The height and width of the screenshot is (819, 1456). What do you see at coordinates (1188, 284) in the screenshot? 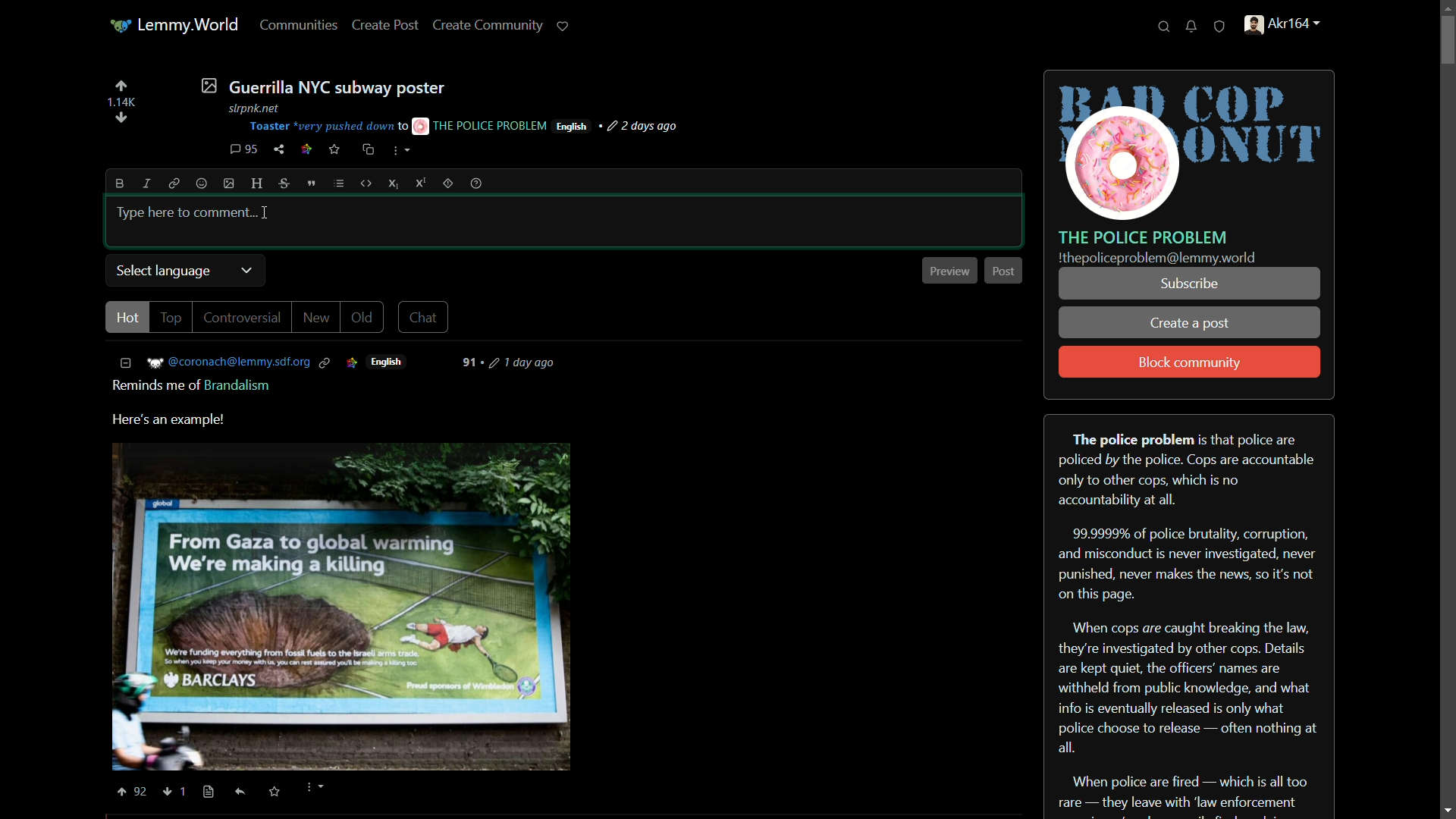
I see `subscribe` at bounding box center [1188, 284].